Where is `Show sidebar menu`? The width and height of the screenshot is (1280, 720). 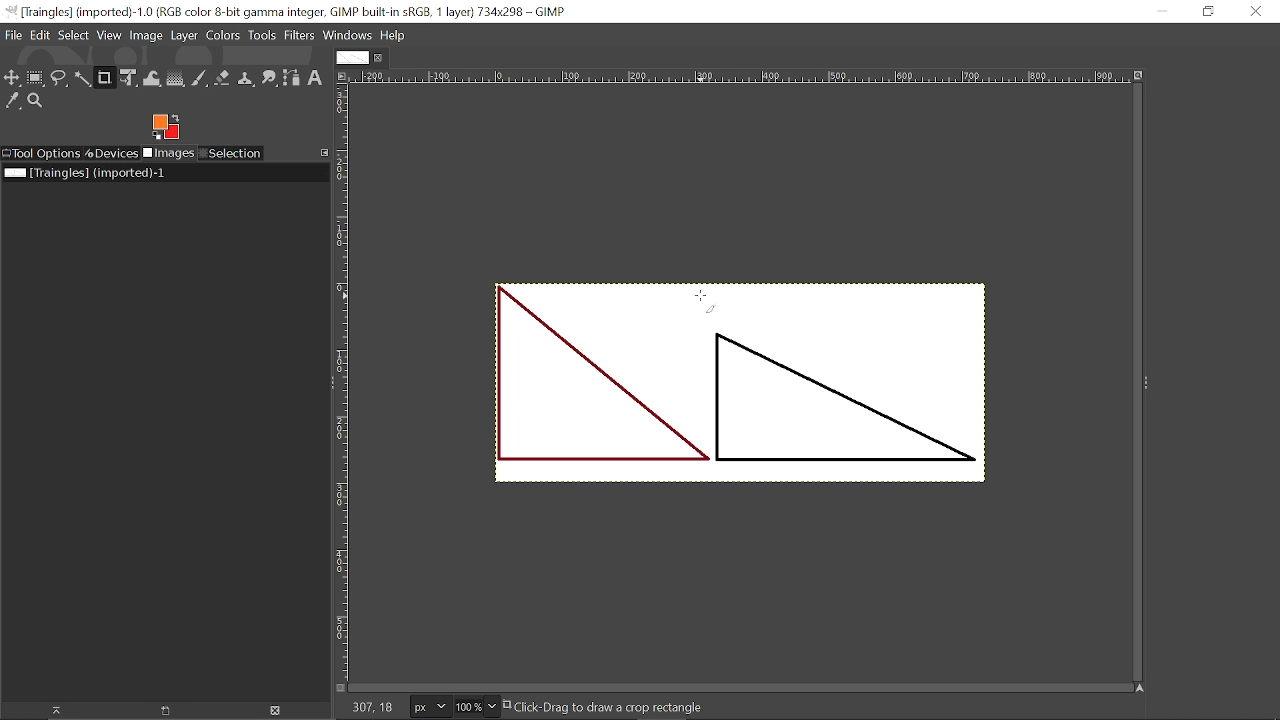 Show sidebar menu is located at coordinates (1147, 383).